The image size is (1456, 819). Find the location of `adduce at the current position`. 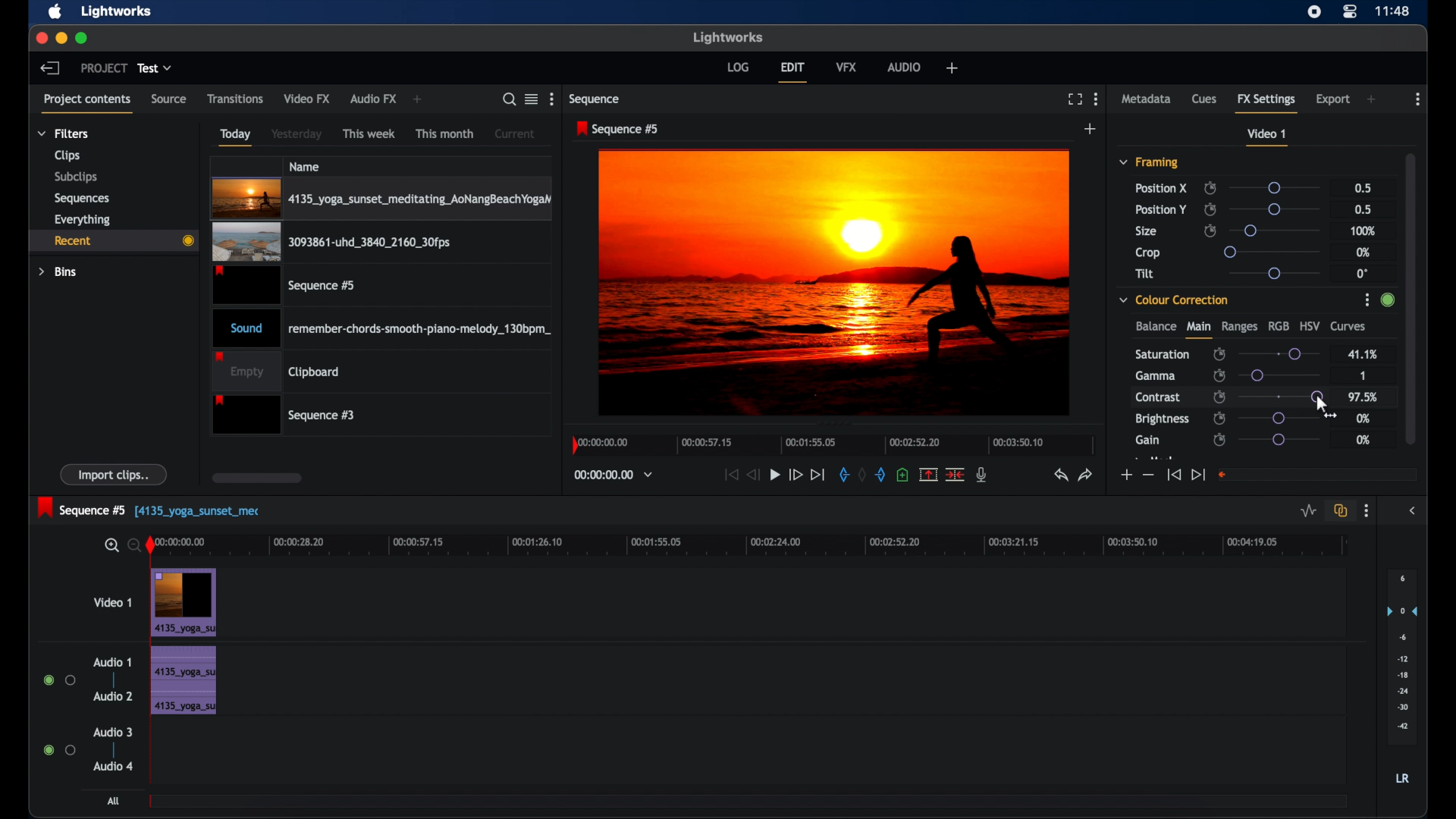

adduce at the current position is located at coordinates (902, 474).